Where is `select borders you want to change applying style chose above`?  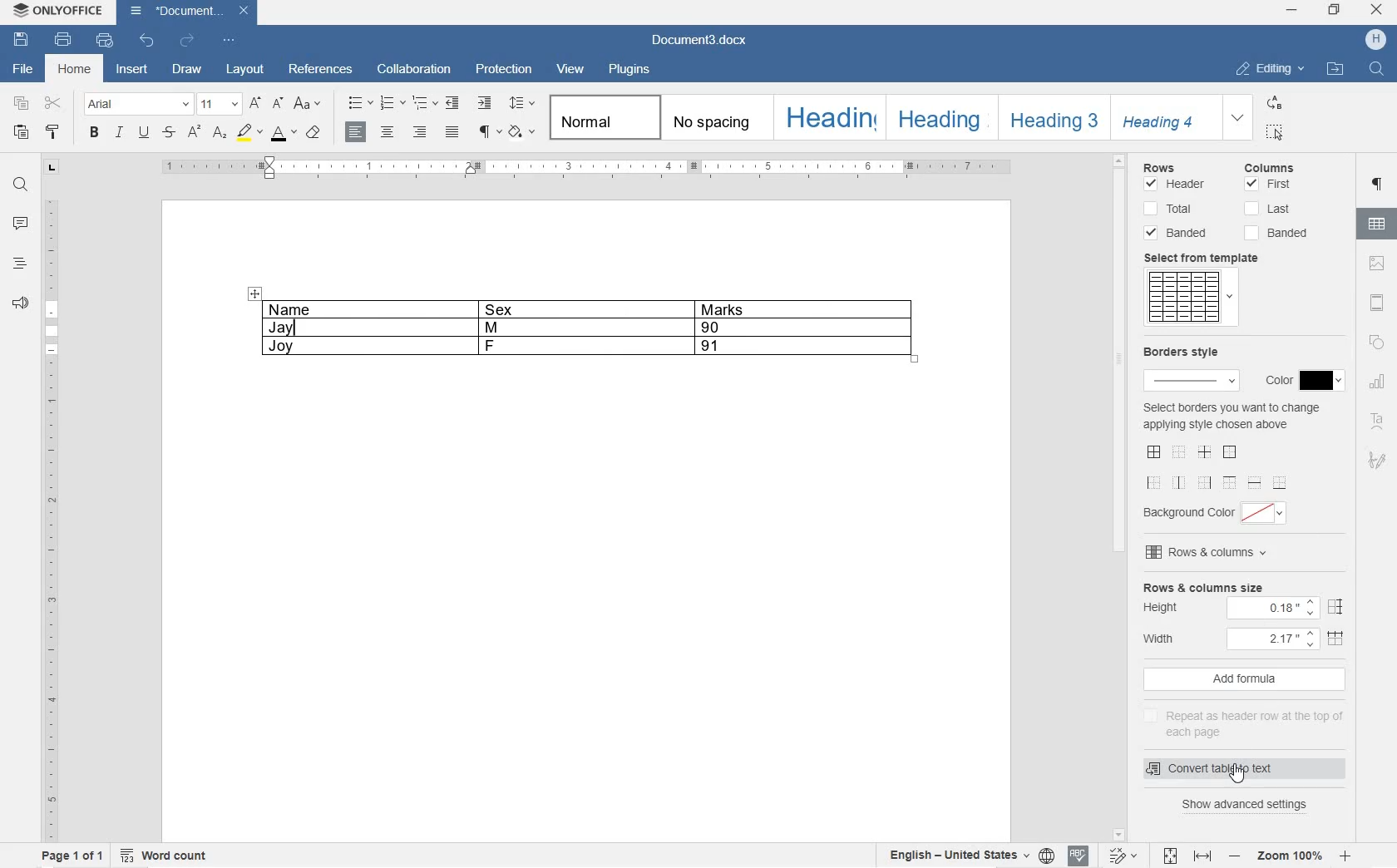
select borders you want to change applying style chose above is located at coordinates (1231, 417).